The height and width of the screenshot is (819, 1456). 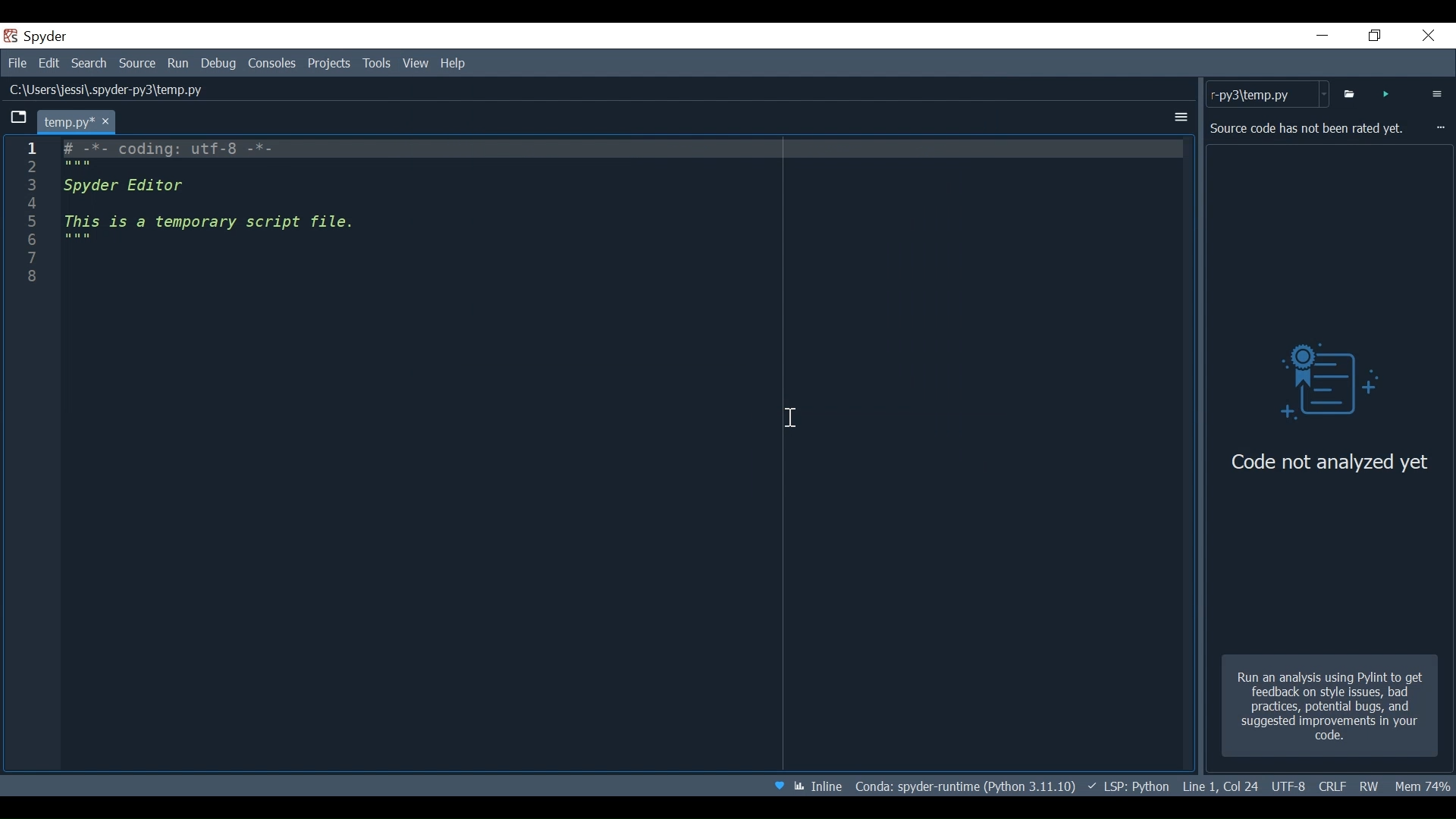 I want to click on Run, so click(x=180, y=63).